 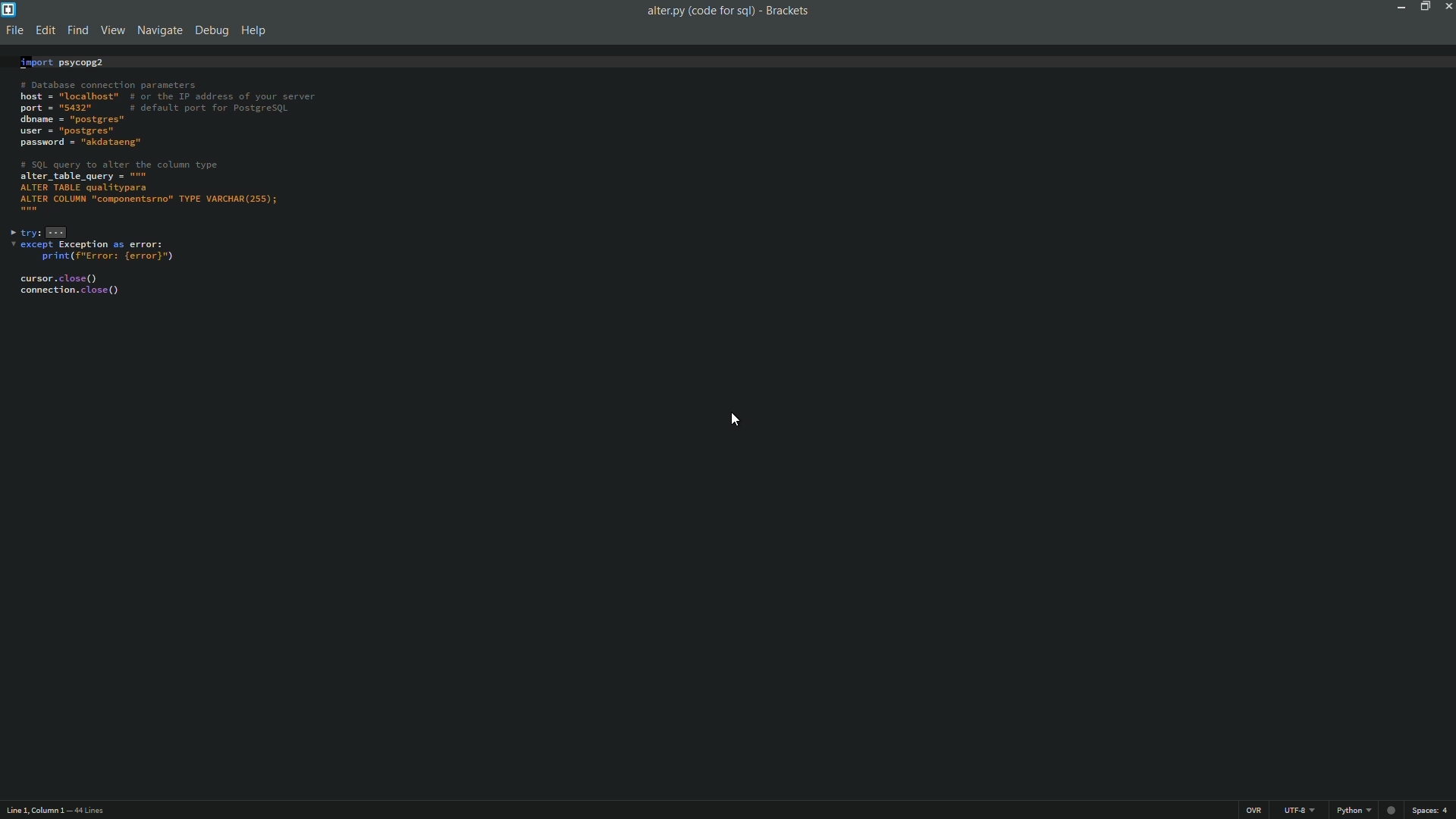 I want to click on edit menu, so click(x=45, y=31).